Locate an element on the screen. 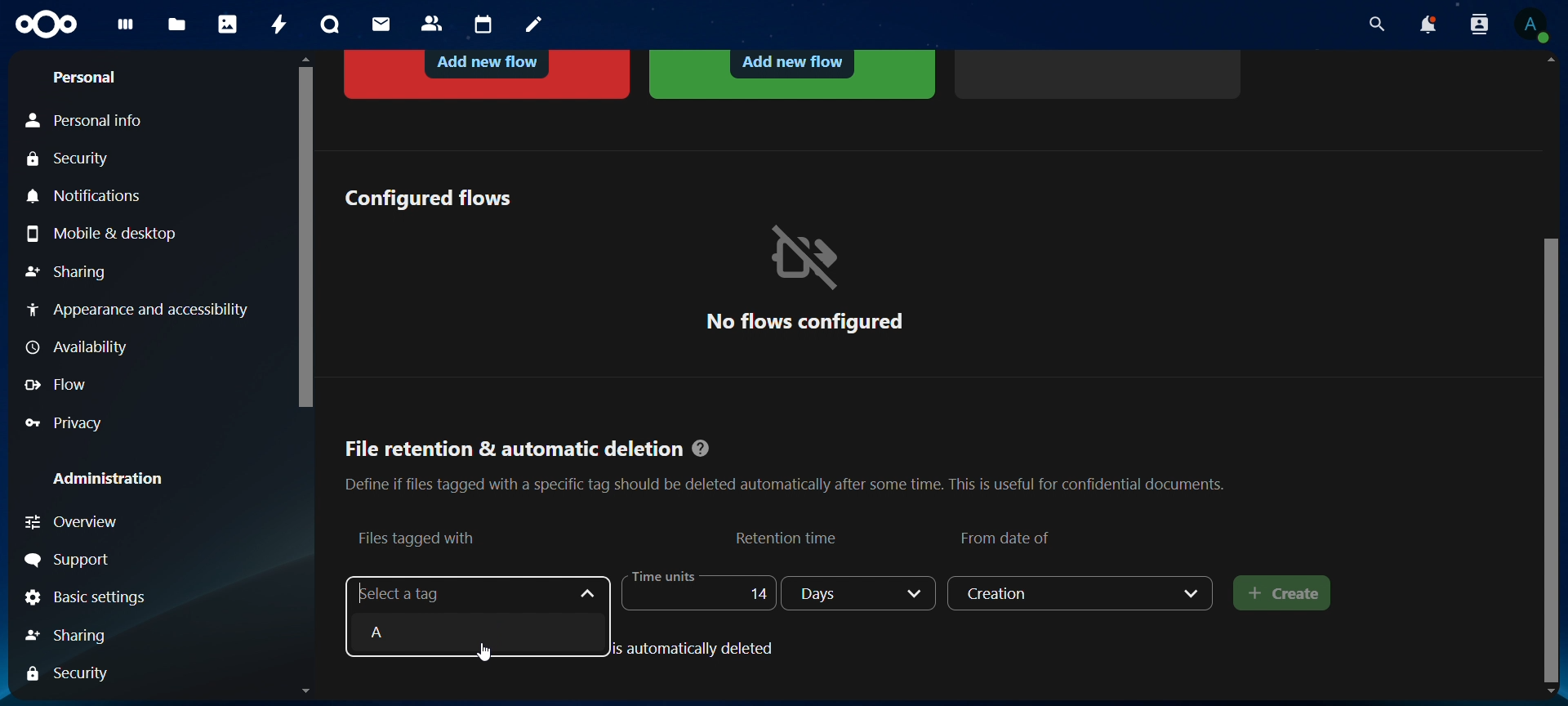 This screenshot has height=706, width=1568. photos is located at coordinates (228, 24).